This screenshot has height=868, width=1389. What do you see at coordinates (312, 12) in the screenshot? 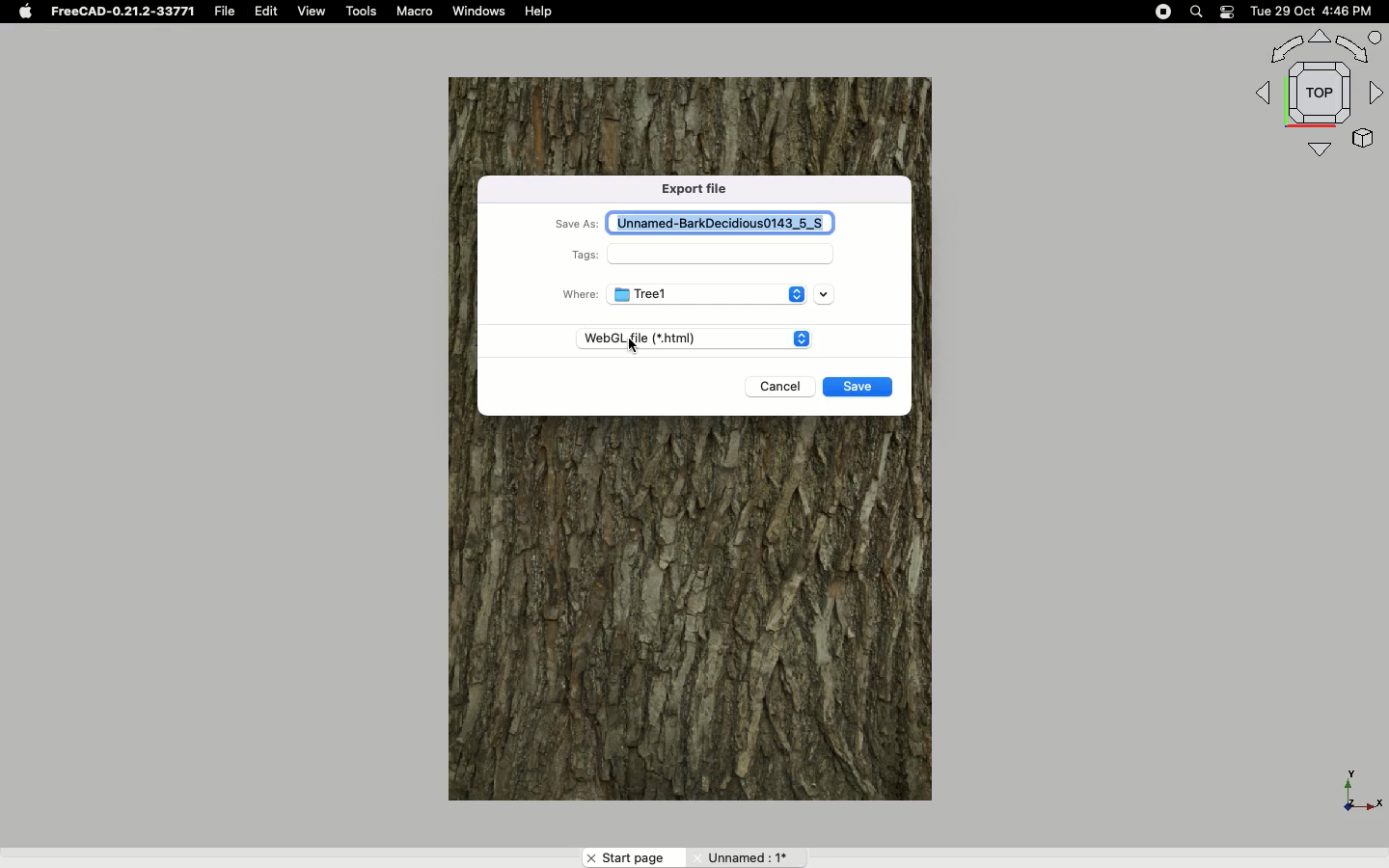
I see `View` at bounding box center [312, 12].